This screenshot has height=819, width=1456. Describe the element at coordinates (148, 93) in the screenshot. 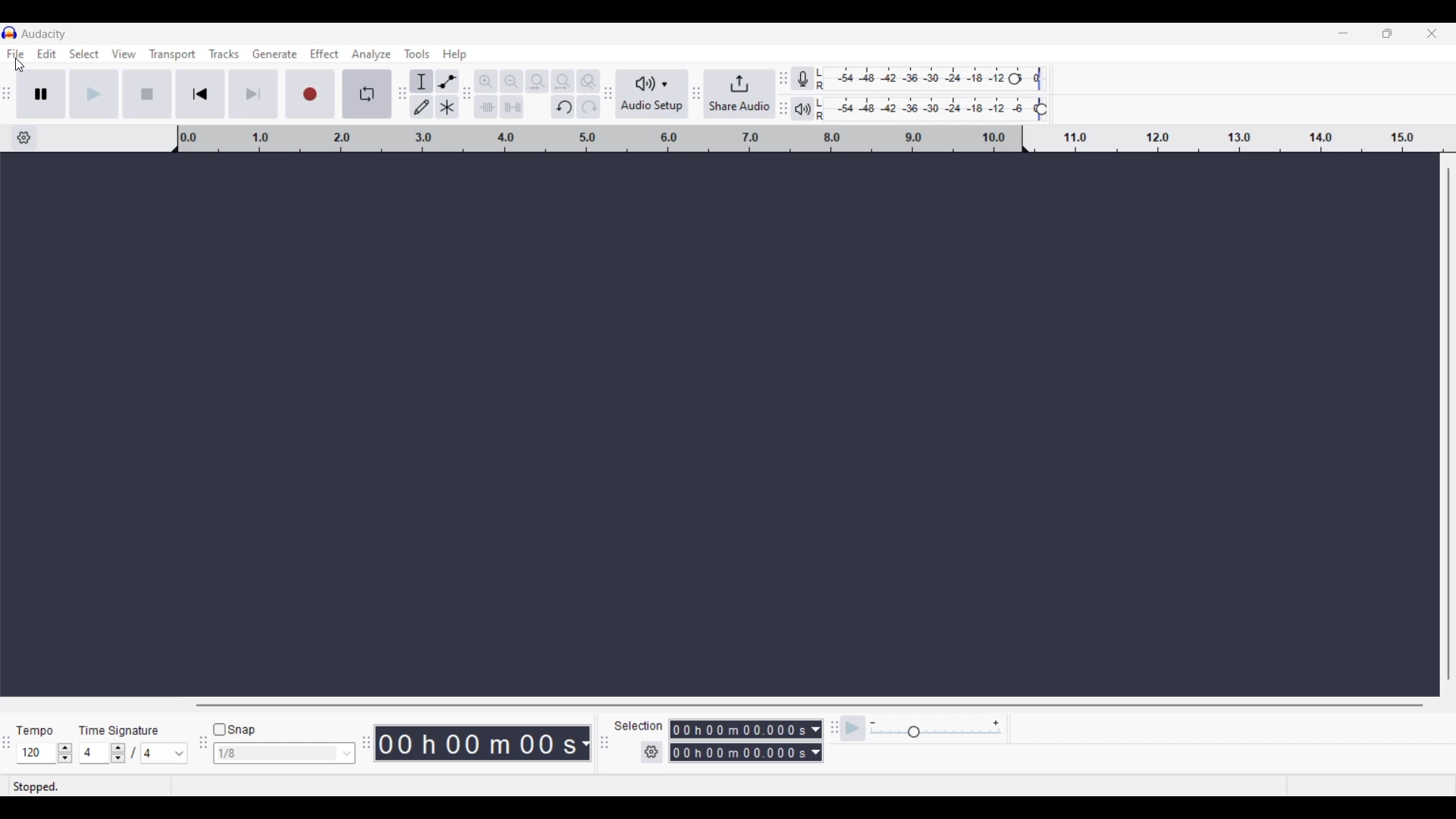

I see `Stop` at that location.